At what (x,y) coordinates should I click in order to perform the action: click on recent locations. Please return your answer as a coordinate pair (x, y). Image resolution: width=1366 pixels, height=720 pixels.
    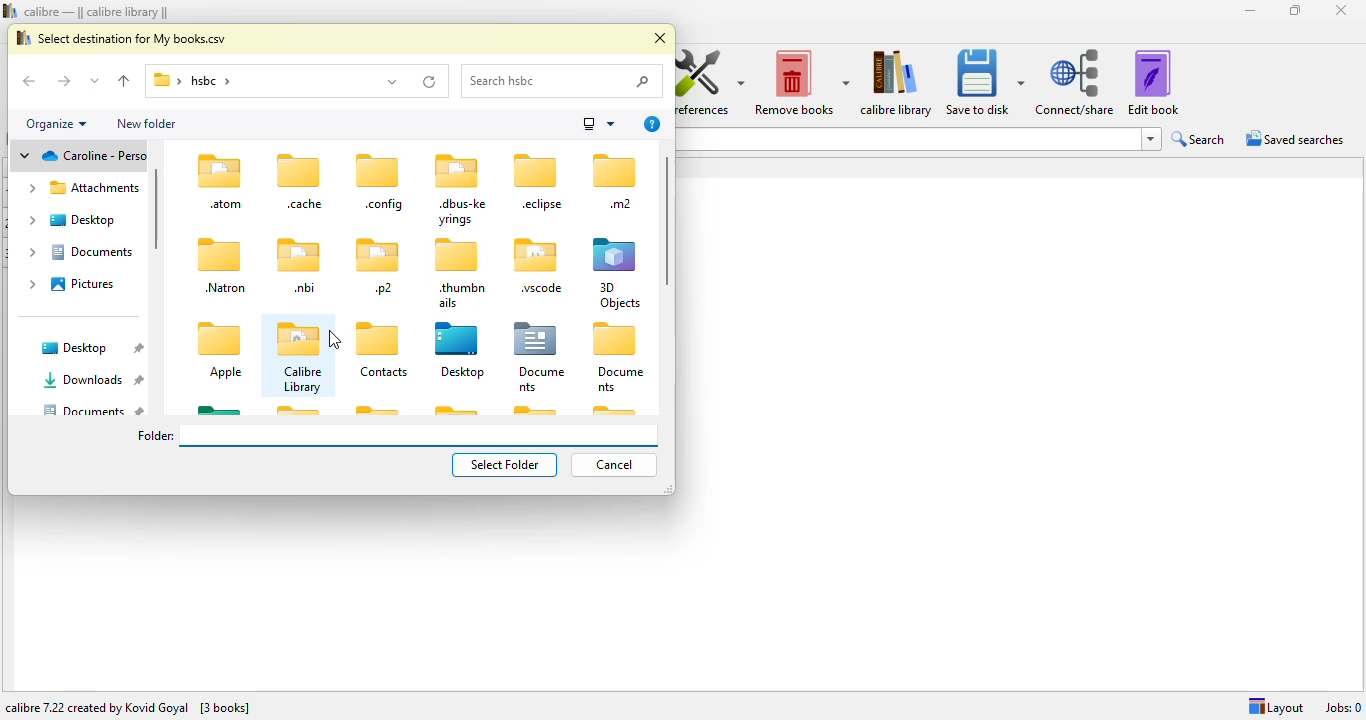
    Looking at the image, I should click on (95, 80).